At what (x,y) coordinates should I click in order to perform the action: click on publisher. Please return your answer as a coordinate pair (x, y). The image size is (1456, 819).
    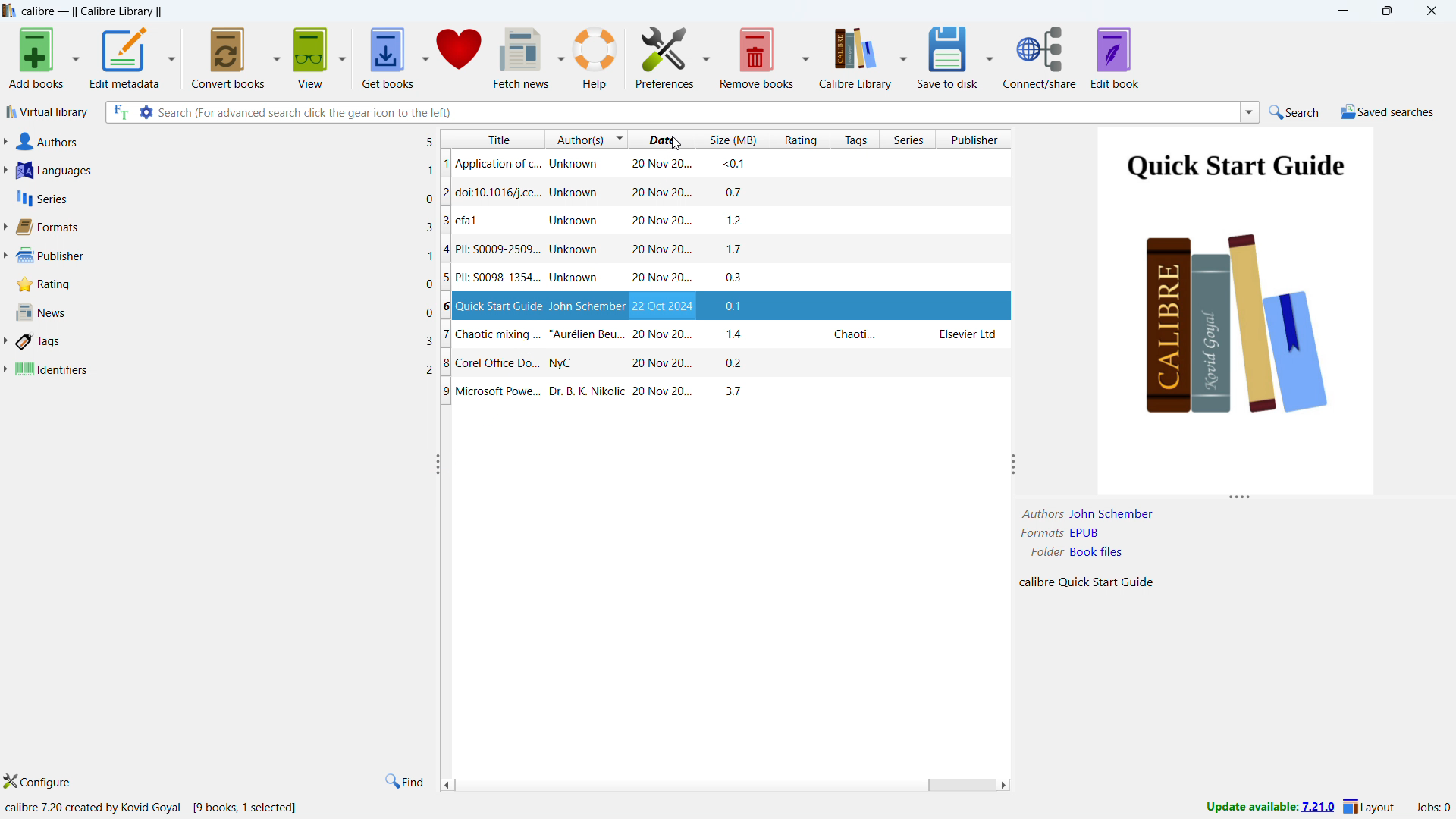
    Looking at the image, I should click on (977, 139).